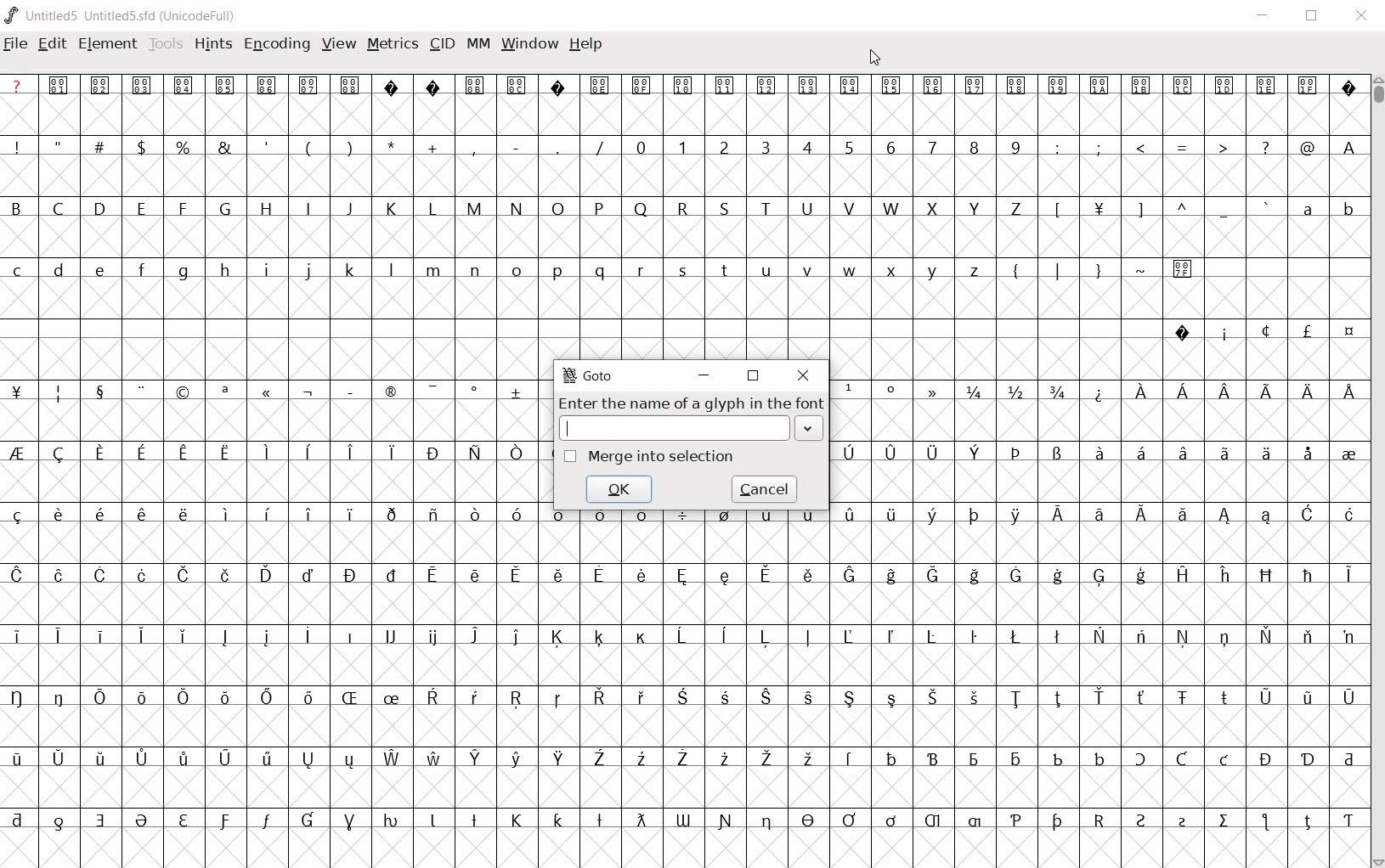 The width and height of the screenshot is (1385, 868). I want to click on Symbol, so click(849, 820).